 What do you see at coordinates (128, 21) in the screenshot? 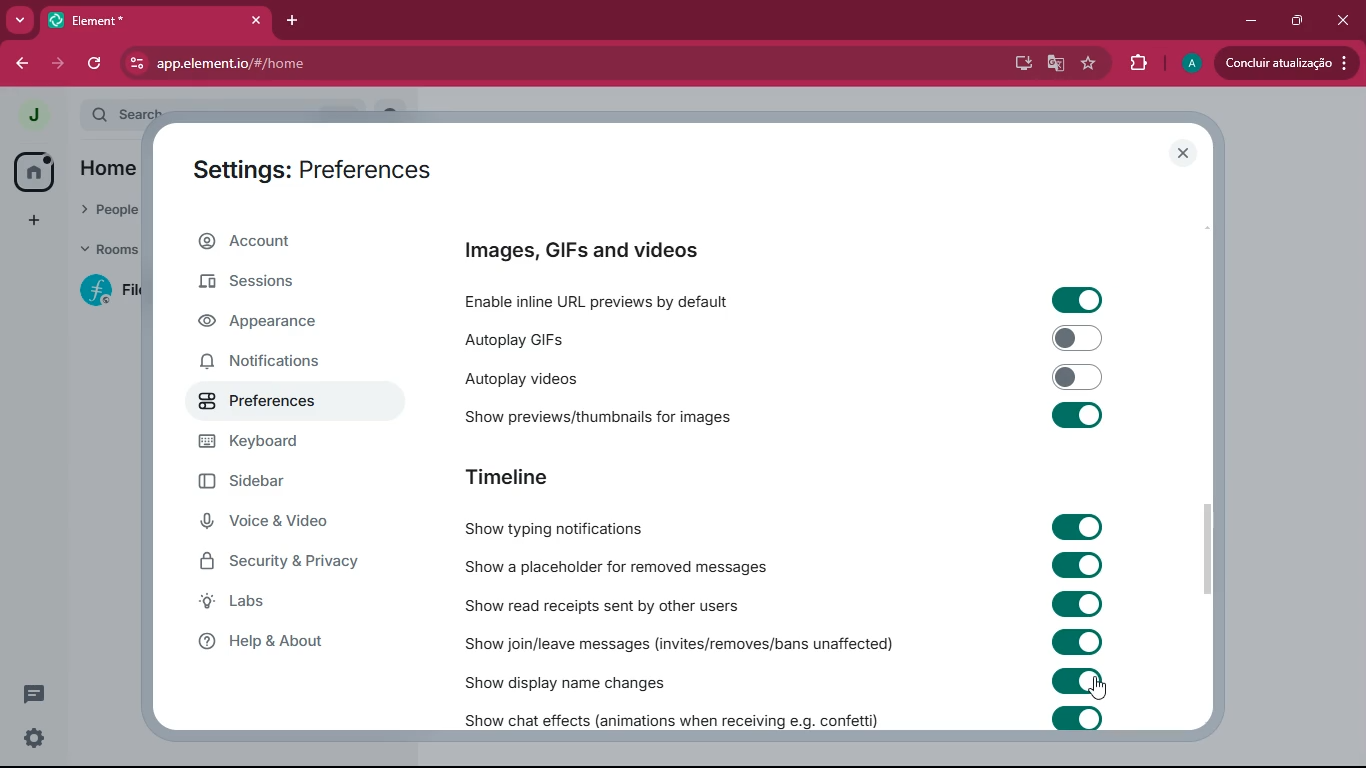
I see `tab` at bounding box center [128, 21].